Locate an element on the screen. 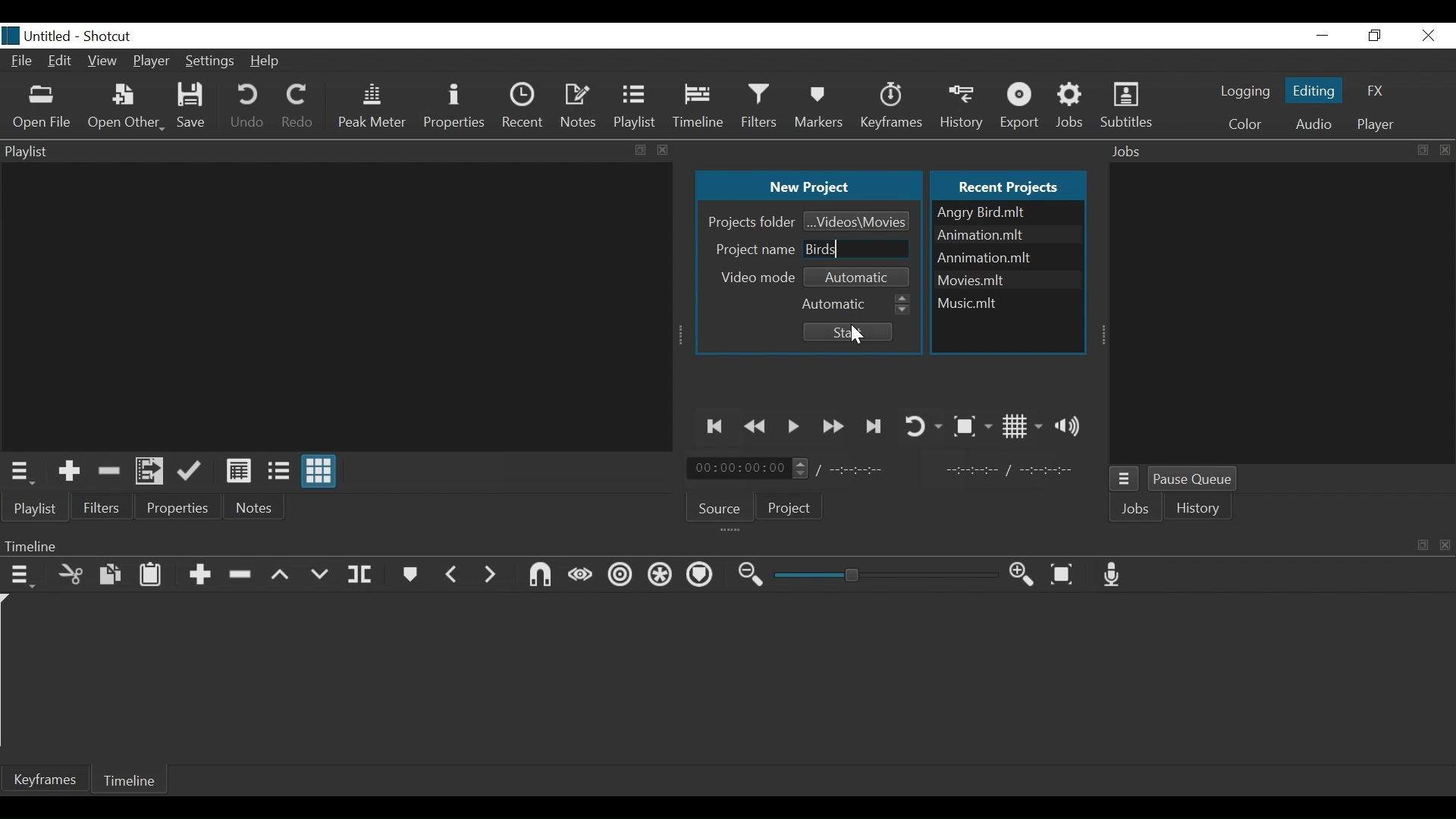 Image resolution: width=1456 pixels, height=819 pixels. Add files to the playlist is located at coordinates (152, 472).